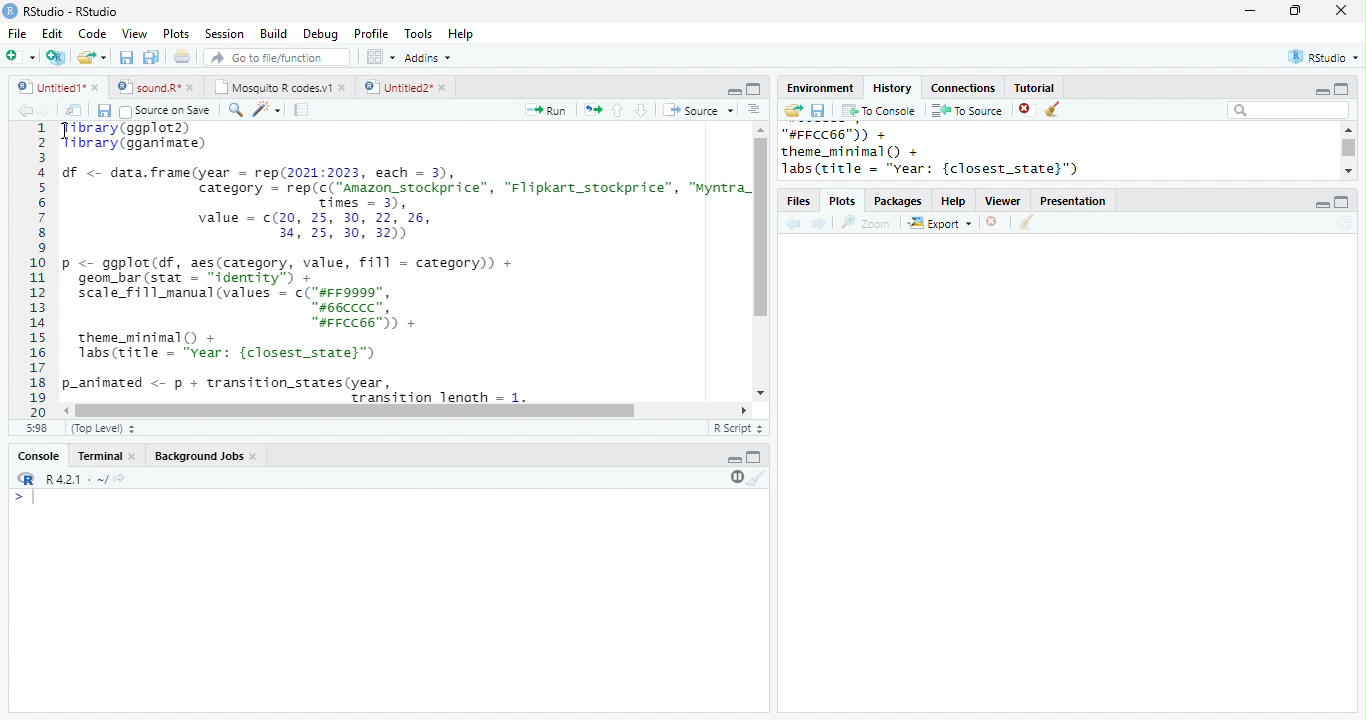  I want to click on pause, so click(735, 478).